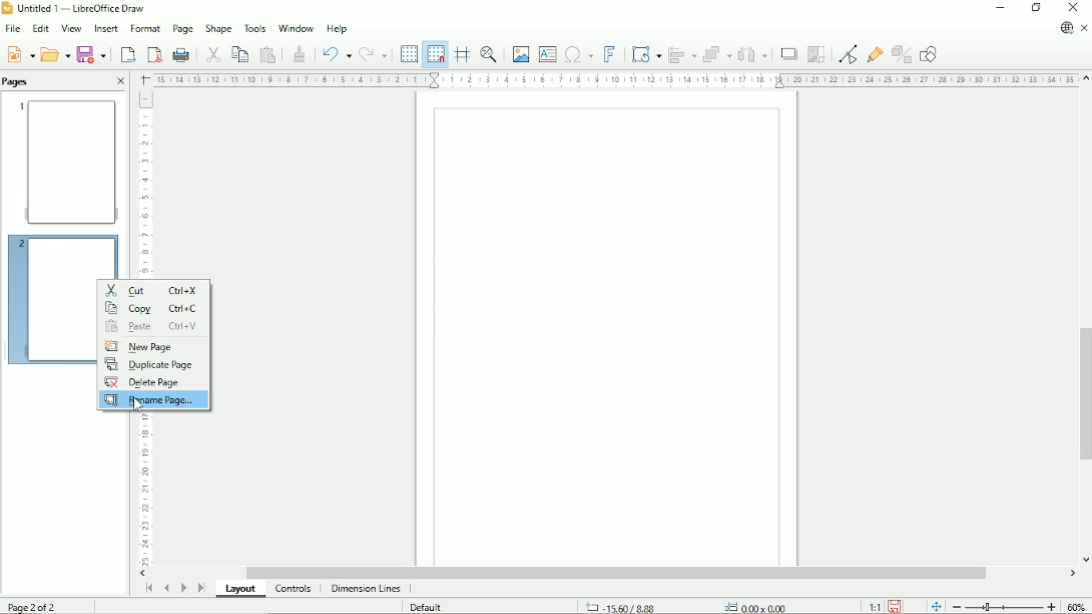  I want to click on Edit, so click(39, 29).